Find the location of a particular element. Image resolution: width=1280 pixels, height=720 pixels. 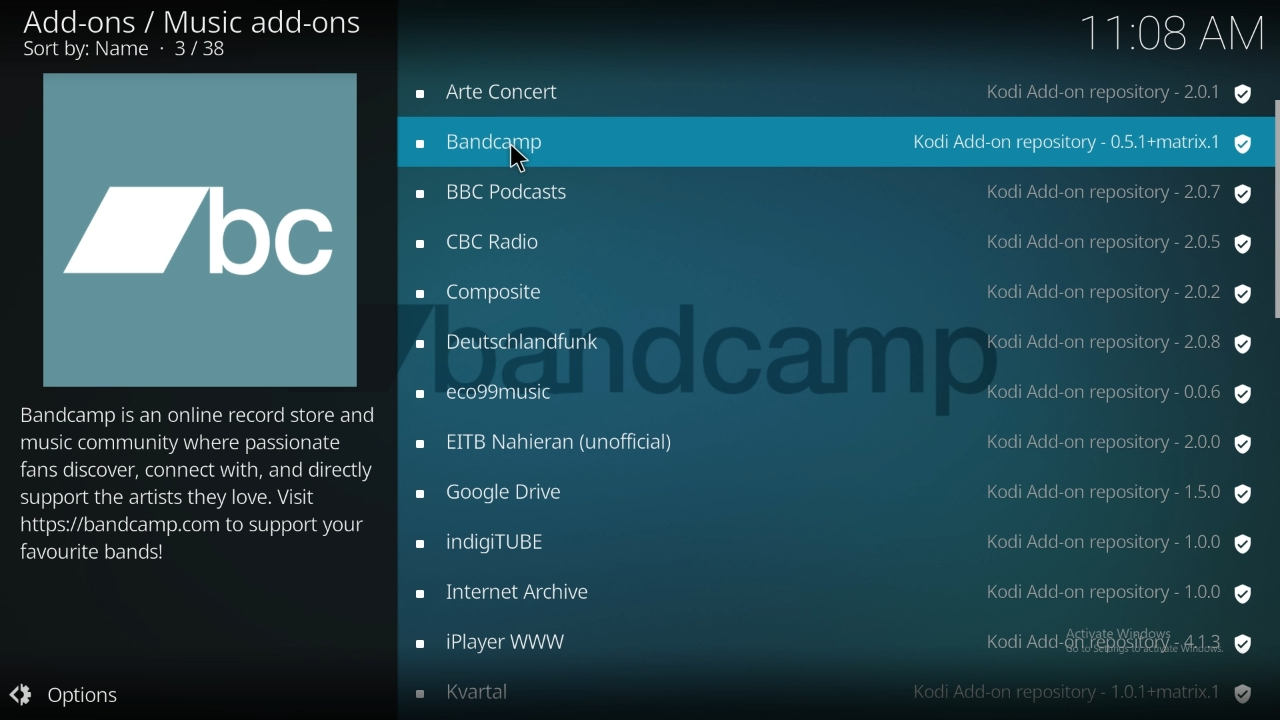

add on is located at coordinates (832, 643).